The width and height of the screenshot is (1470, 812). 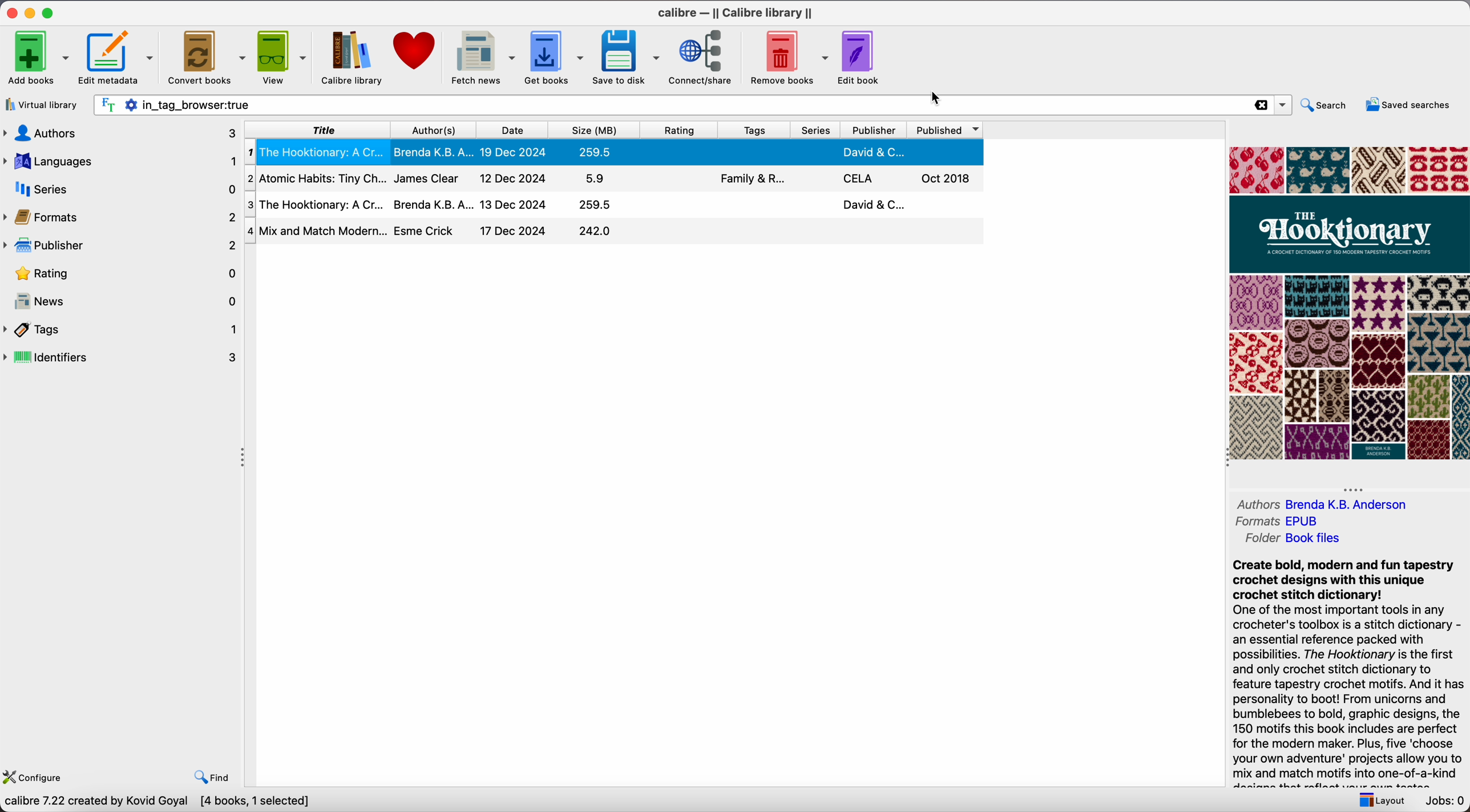 I want to click on David & C..., so click(x=875, y=205).